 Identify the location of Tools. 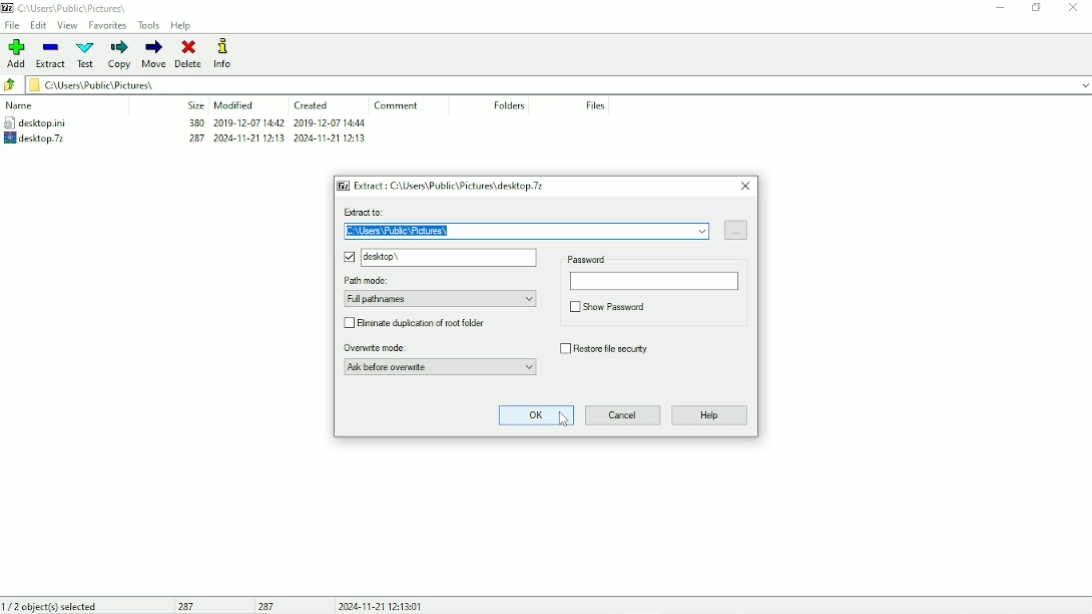
(149, 26).